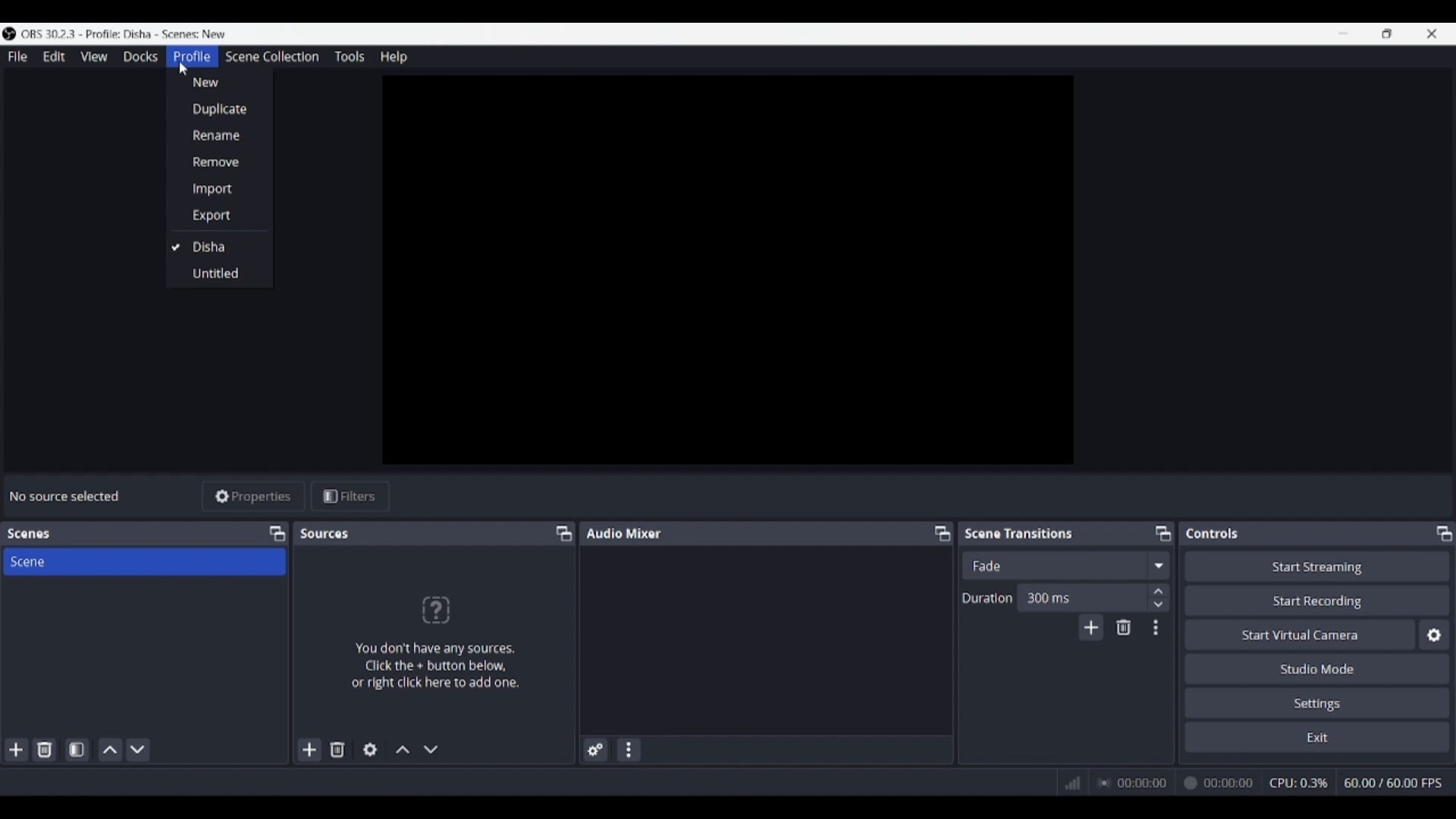  Describe the element at coordinates (1159, 597) in the screenshot. I see `Increase/Decrease duration` at that location.